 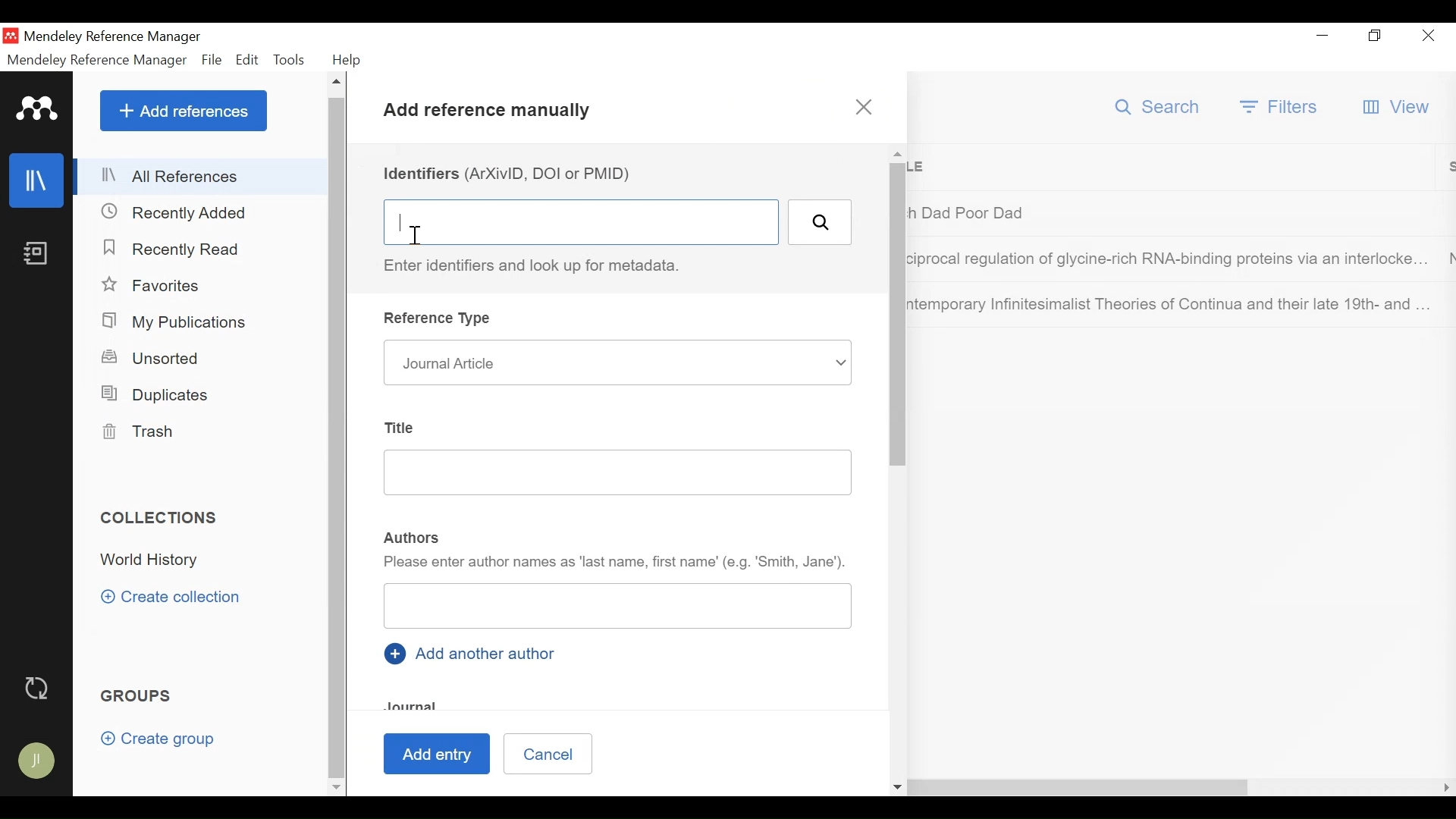 What do you see at coordinates (1177, 168) in the screenshot?
I see `Title` at bounding box center [1177, 168].